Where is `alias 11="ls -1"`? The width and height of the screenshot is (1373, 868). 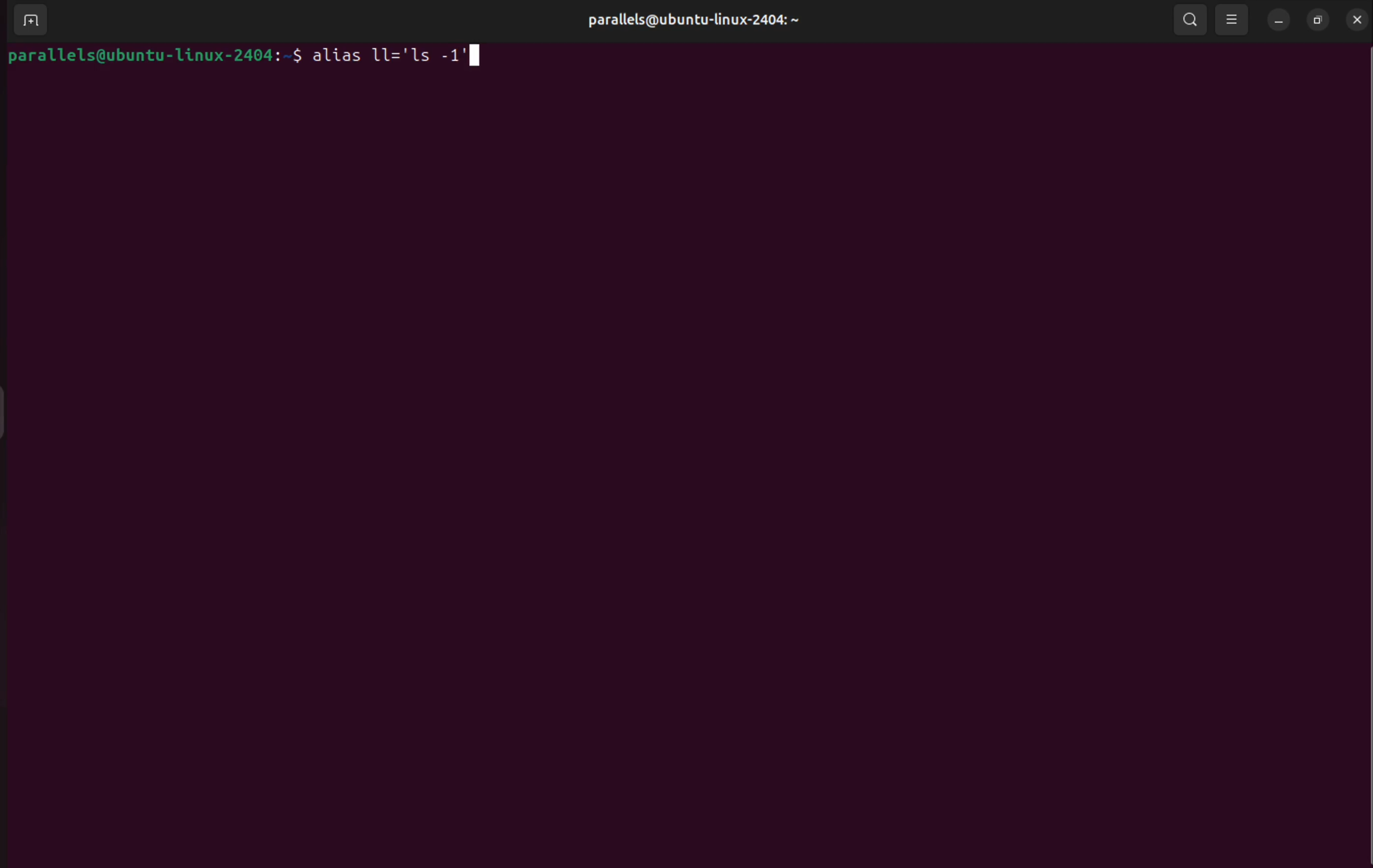
alias 11="ls -1" is located at coordinates (399, 56).